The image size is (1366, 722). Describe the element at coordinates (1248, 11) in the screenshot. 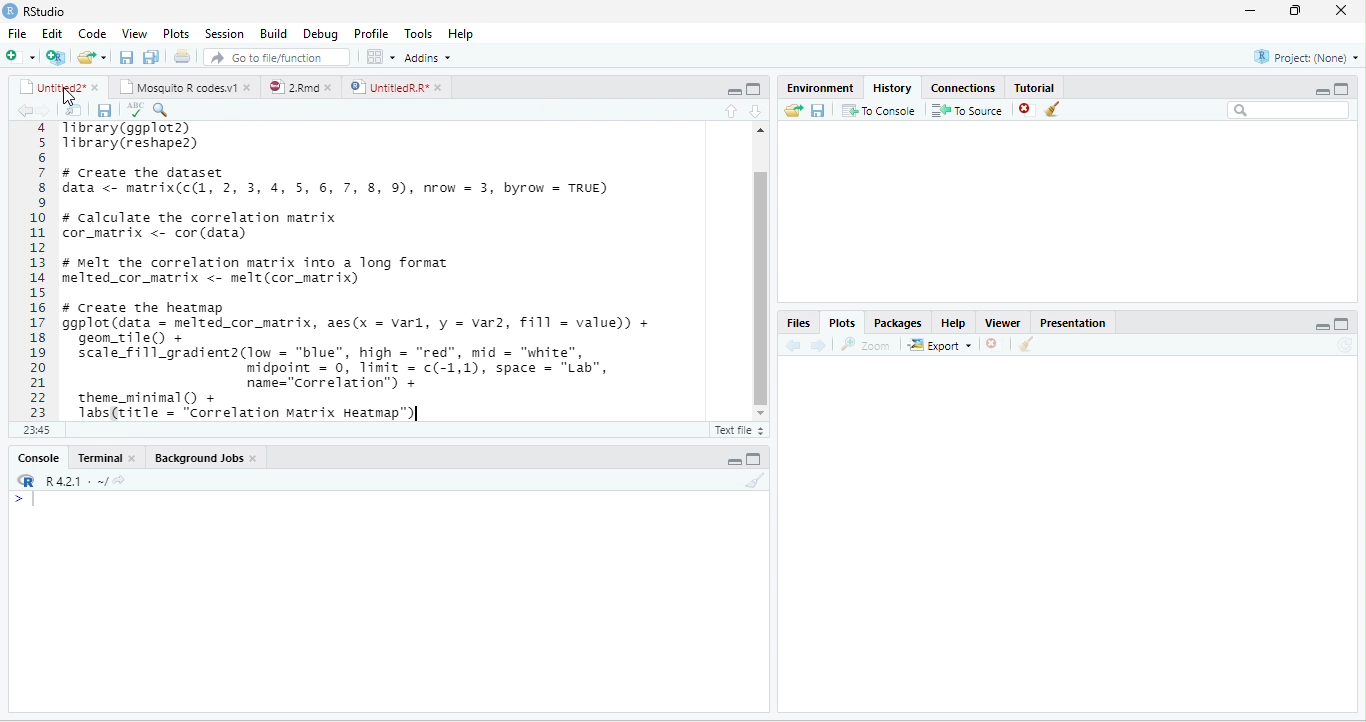

I see `minimize` at that location.